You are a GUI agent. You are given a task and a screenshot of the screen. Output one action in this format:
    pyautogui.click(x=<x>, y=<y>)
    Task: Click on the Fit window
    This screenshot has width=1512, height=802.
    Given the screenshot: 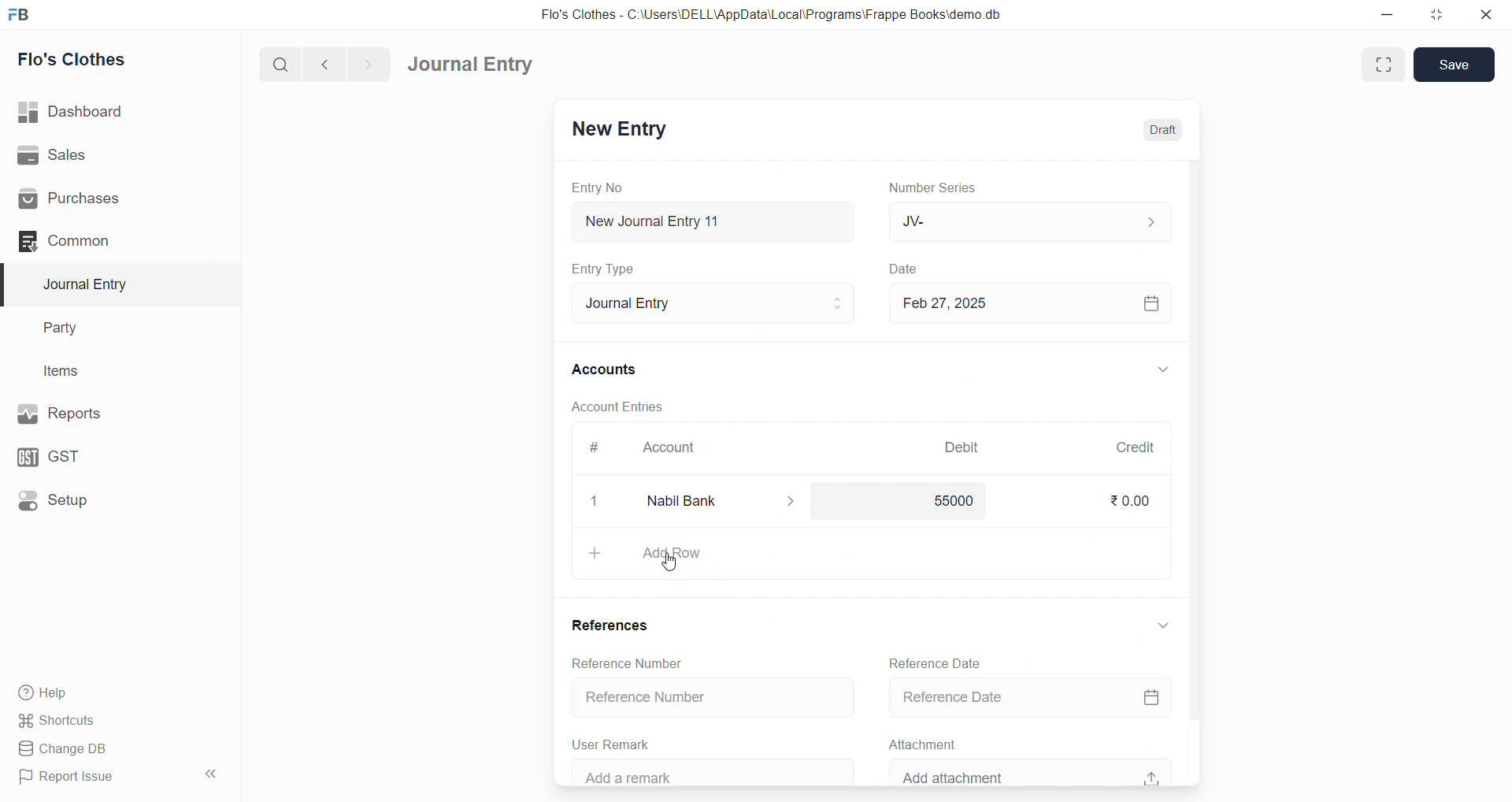 What is the action you would take?
    pyautogui.click(x=1381, y=65)
    